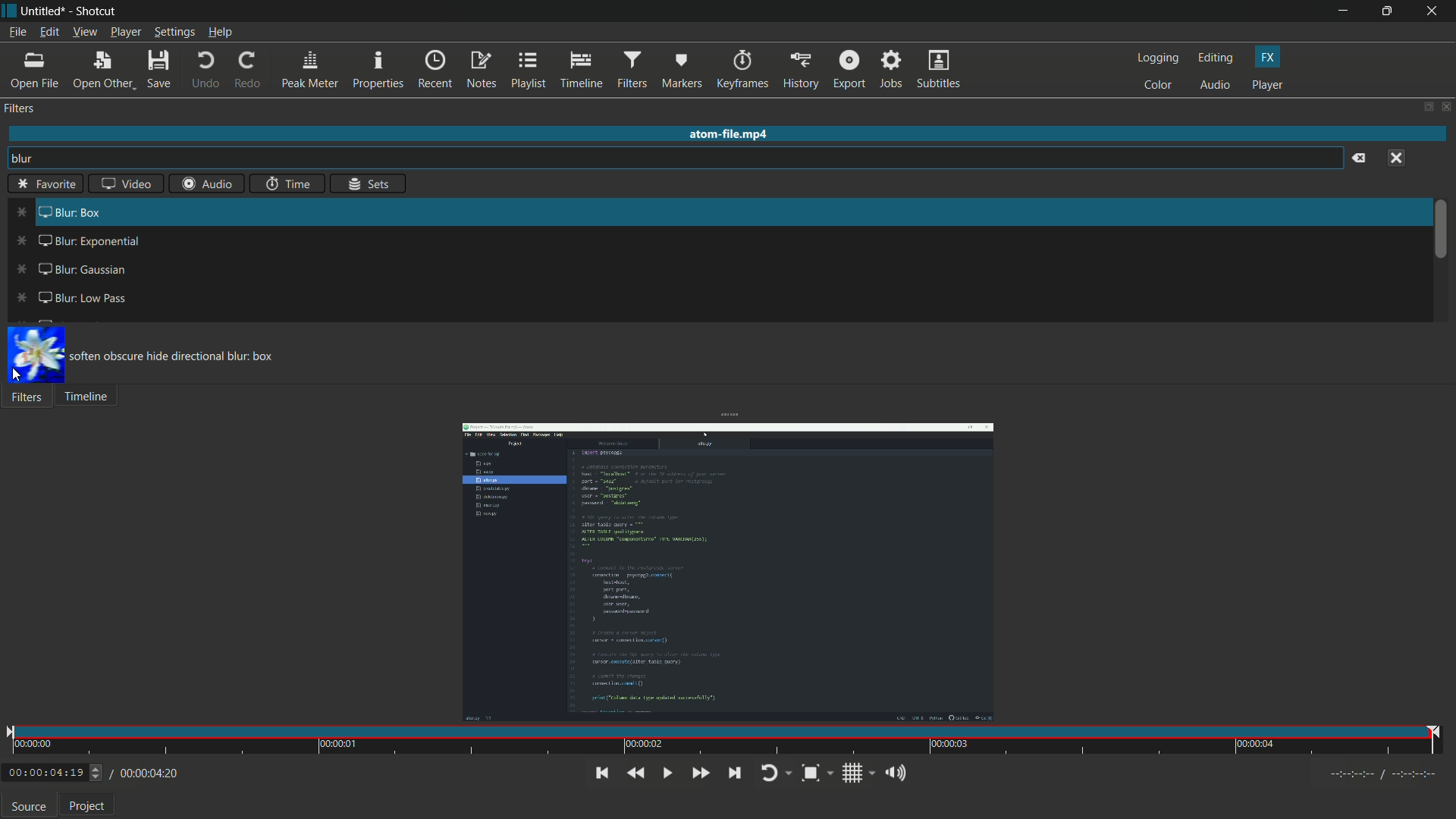 The height and width of the screenshot is (819, 1456). I want to click on editing, so click(1219, 58).